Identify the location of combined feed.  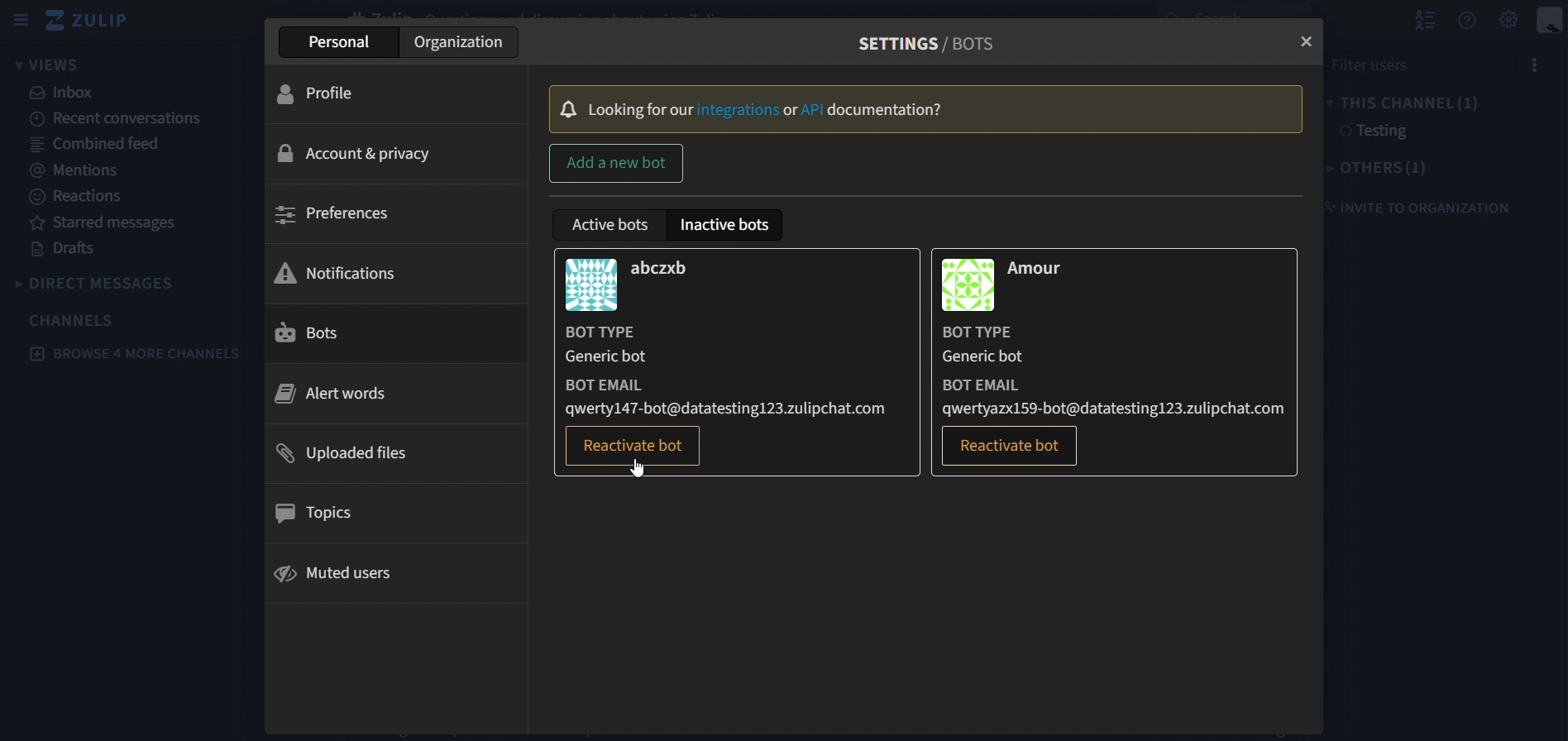
(95, 142).